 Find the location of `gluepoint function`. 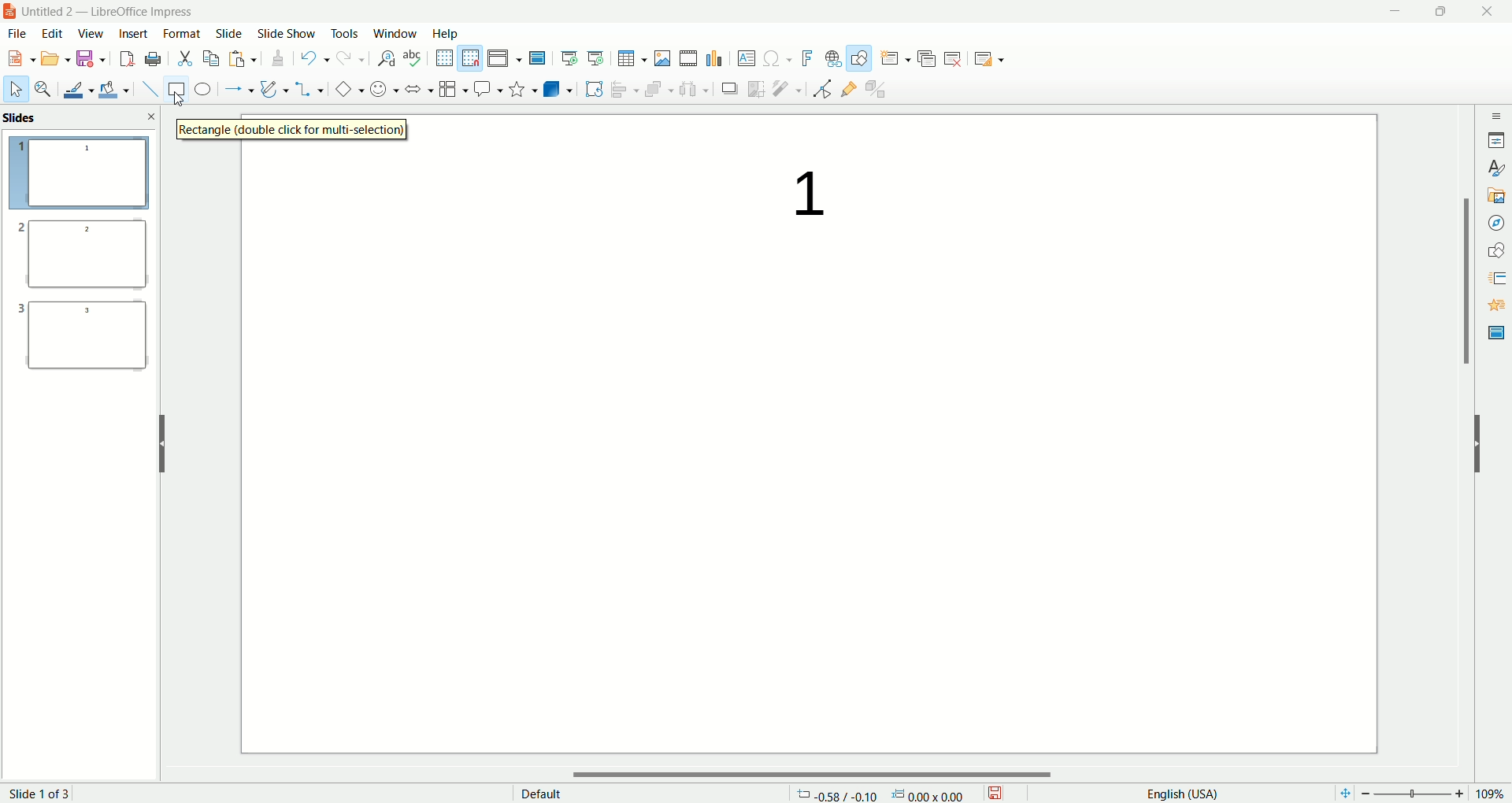

gluepoint function is located at coordinates (848, 90).